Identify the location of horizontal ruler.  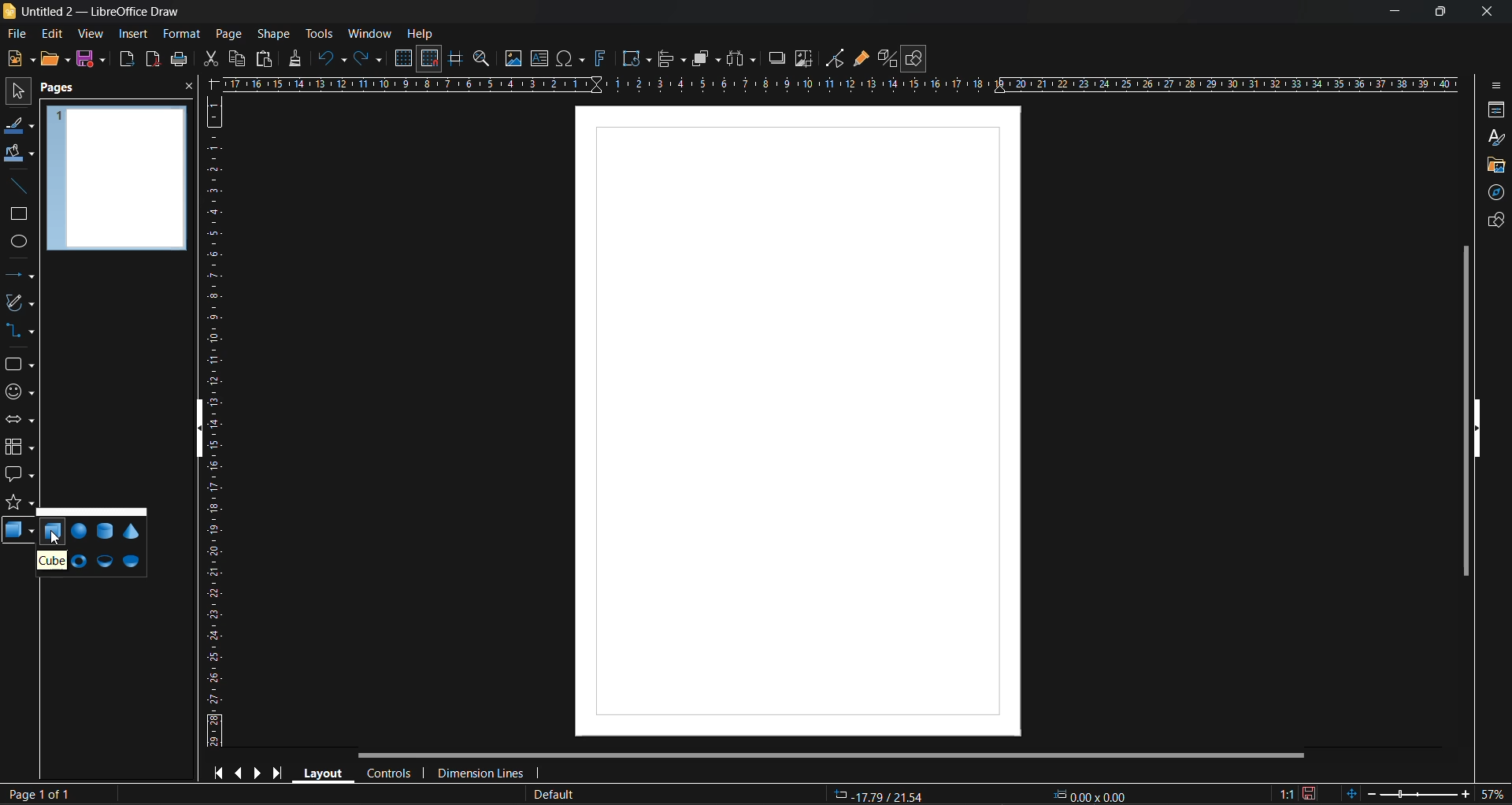
(843, 87).